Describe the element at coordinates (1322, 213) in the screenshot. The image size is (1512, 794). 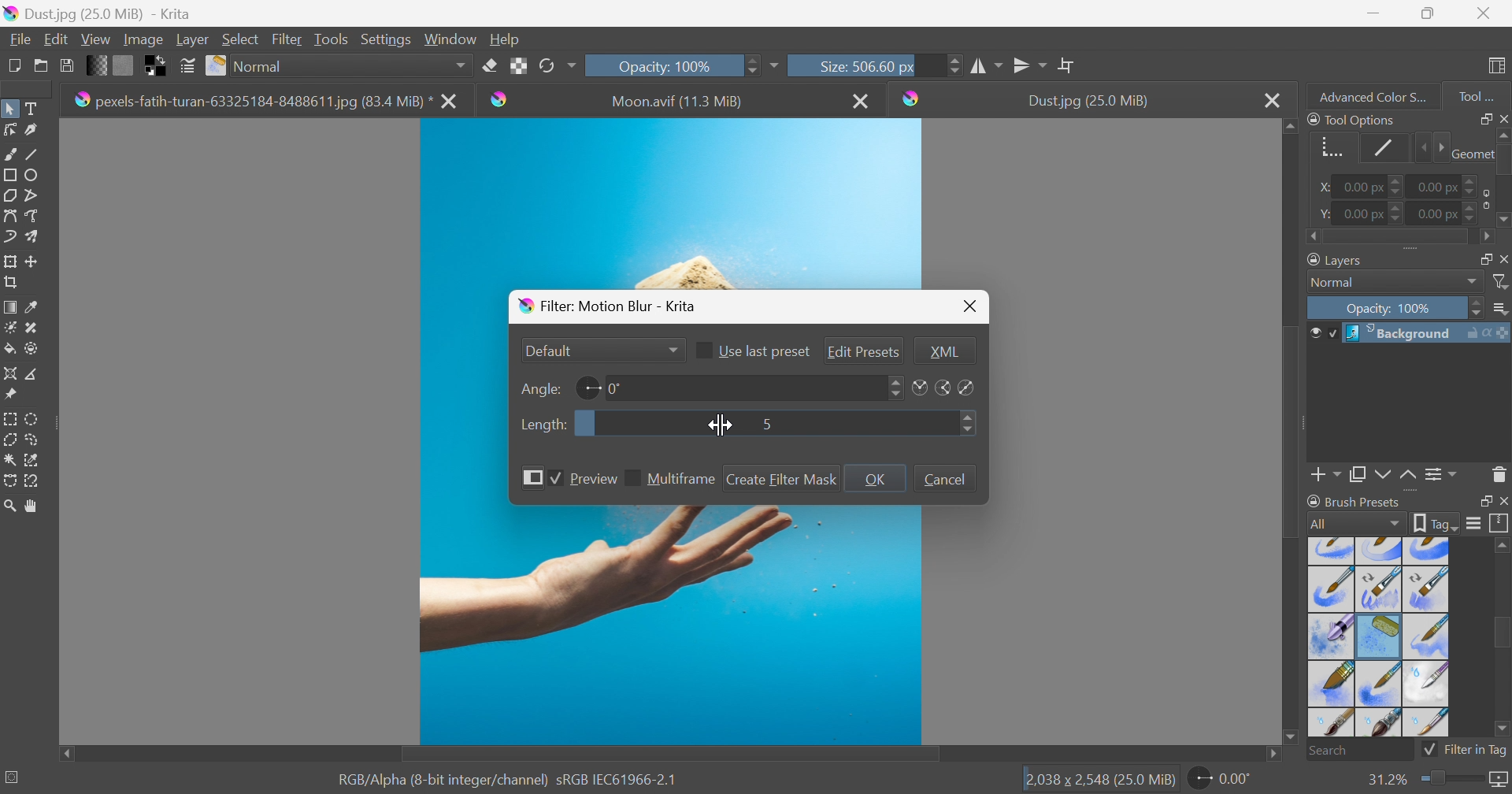
I see `Y:` at that location.